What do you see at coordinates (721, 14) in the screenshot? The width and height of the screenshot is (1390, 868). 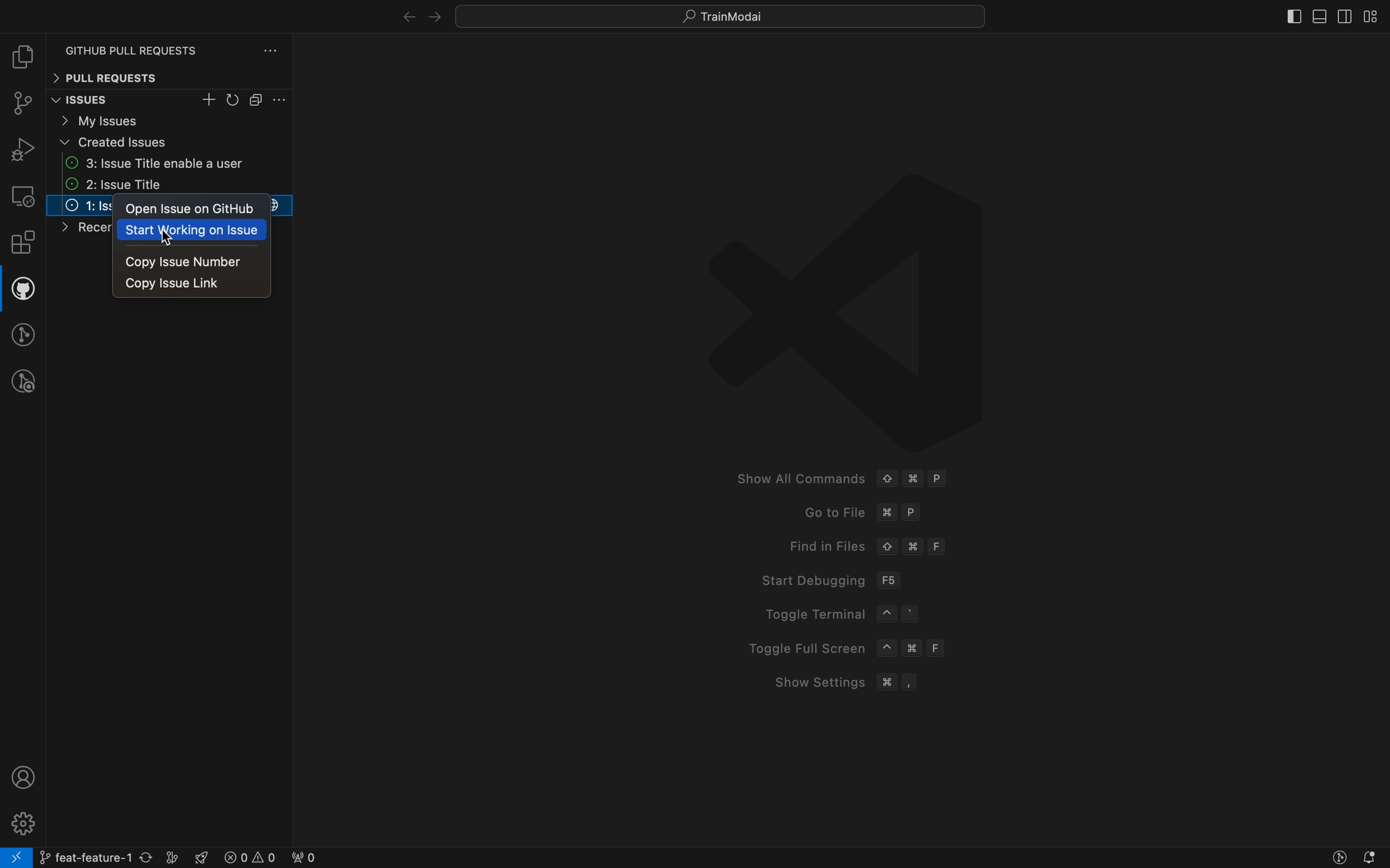 I see `quick menu` at bounding box center [721, 14].